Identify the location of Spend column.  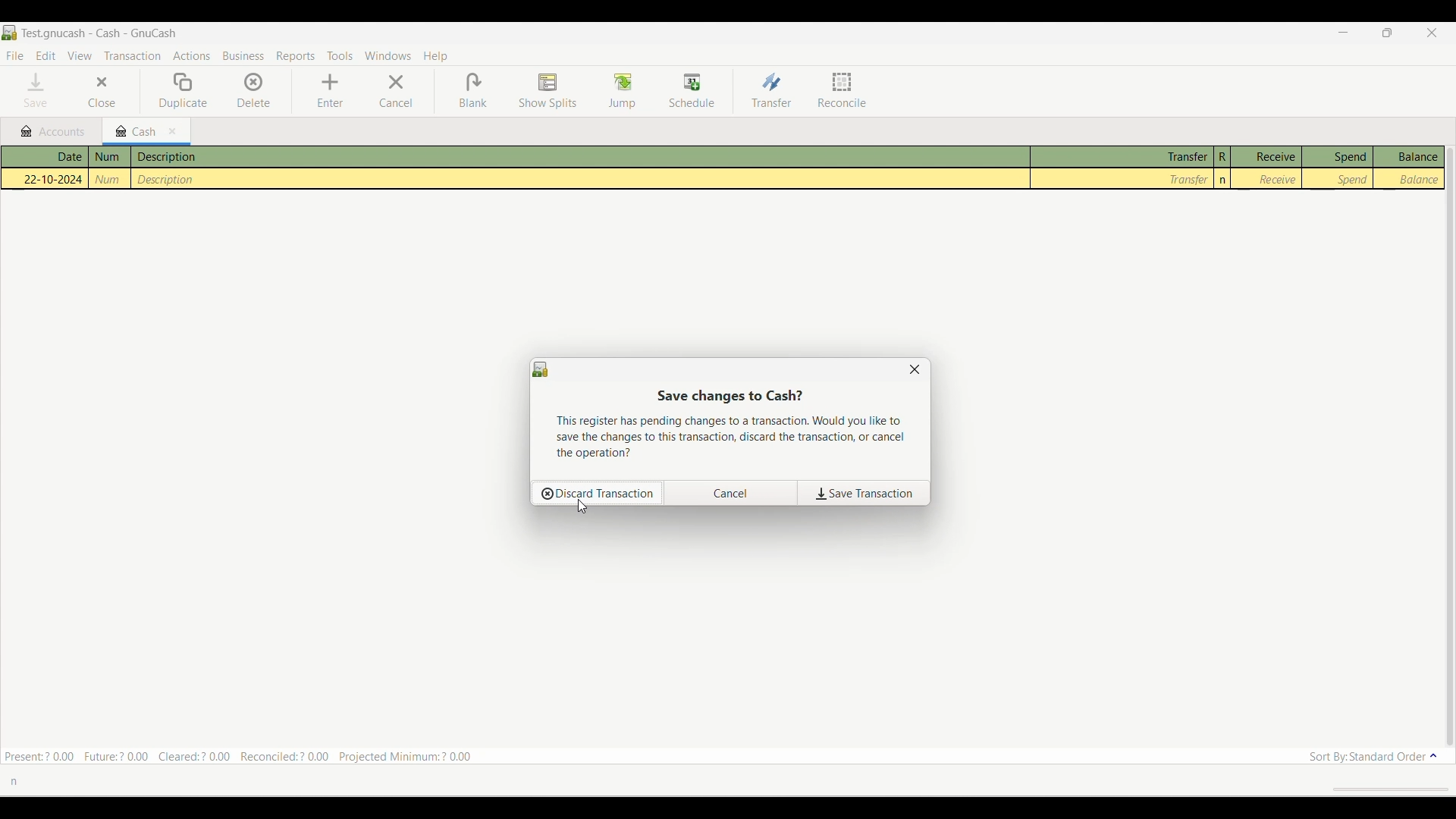
(1338, 167).